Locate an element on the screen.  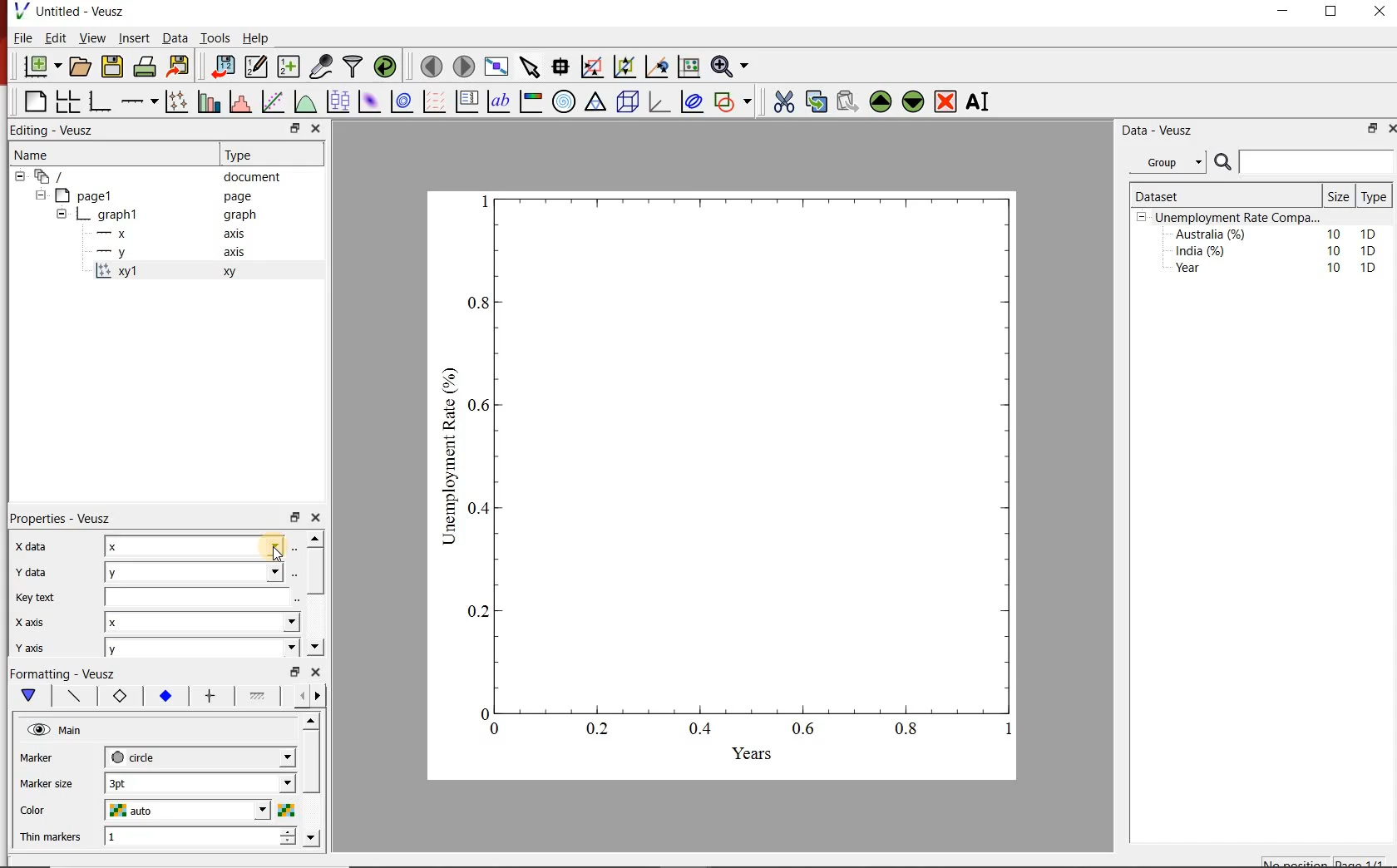
plot vector field is located at coordinates (433, 101).